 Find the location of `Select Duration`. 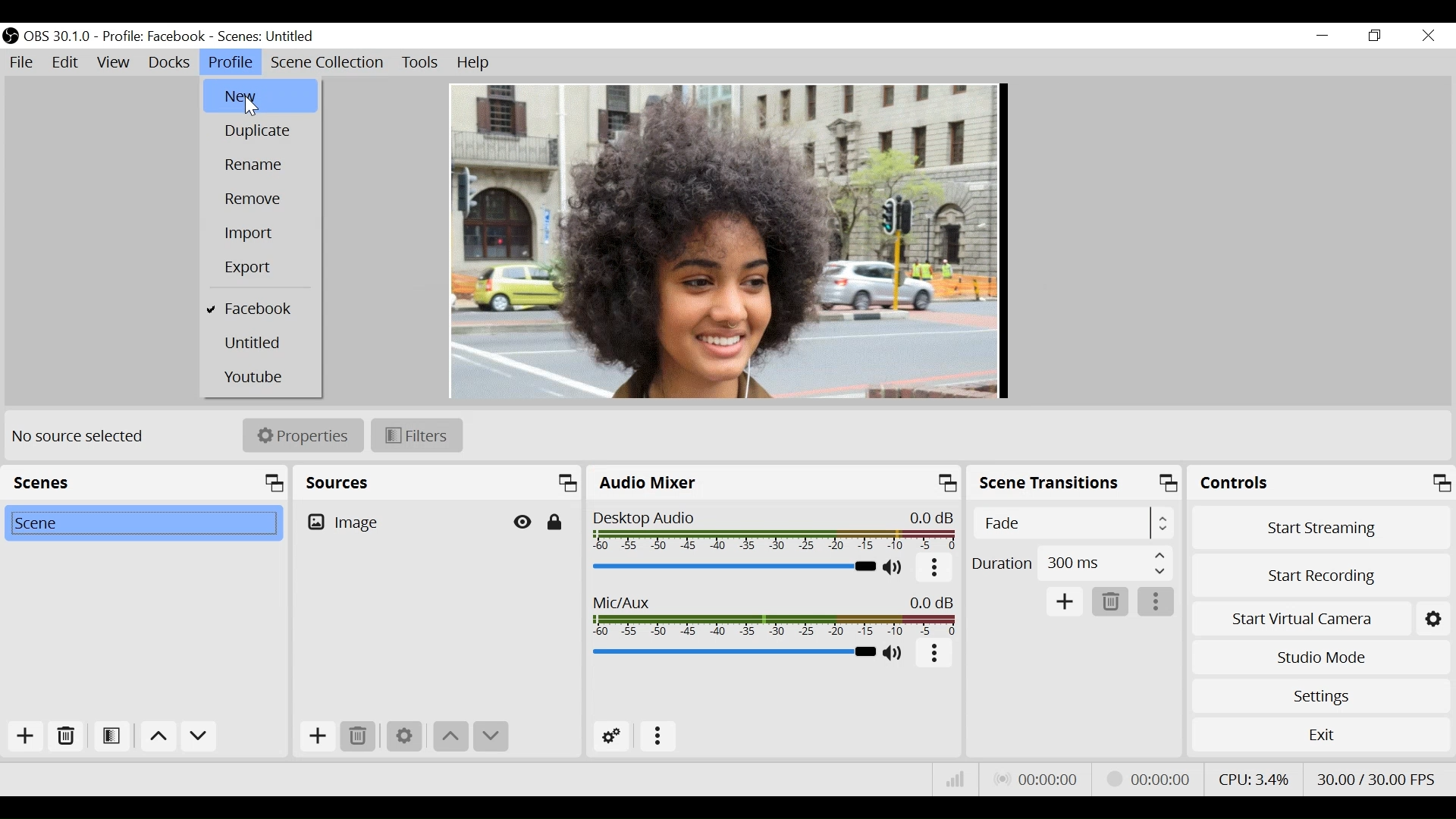

Select Duration is located at coordinates (1072, 562).